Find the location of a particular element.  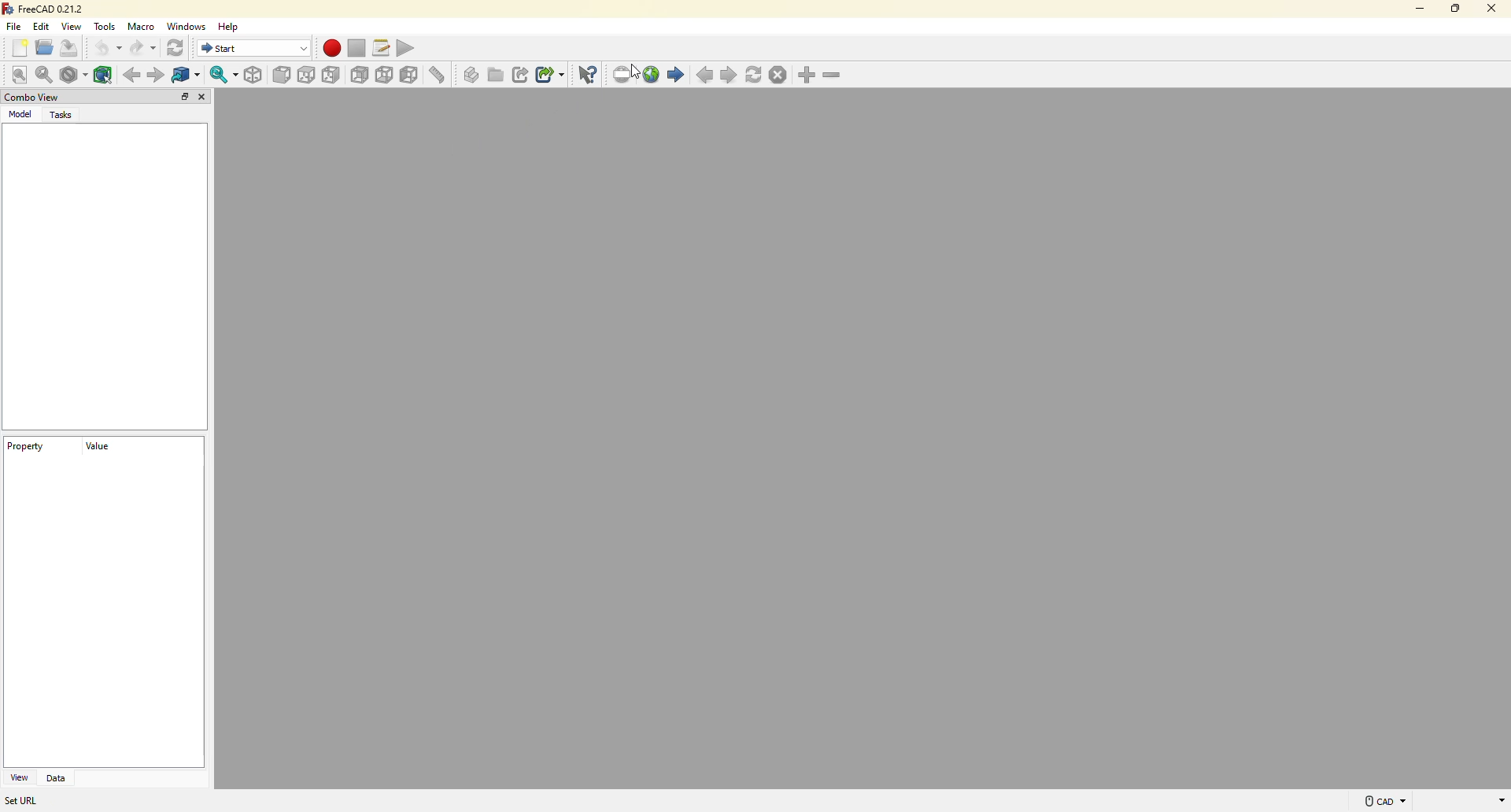

minimize is located at coordinates (1413, 8).